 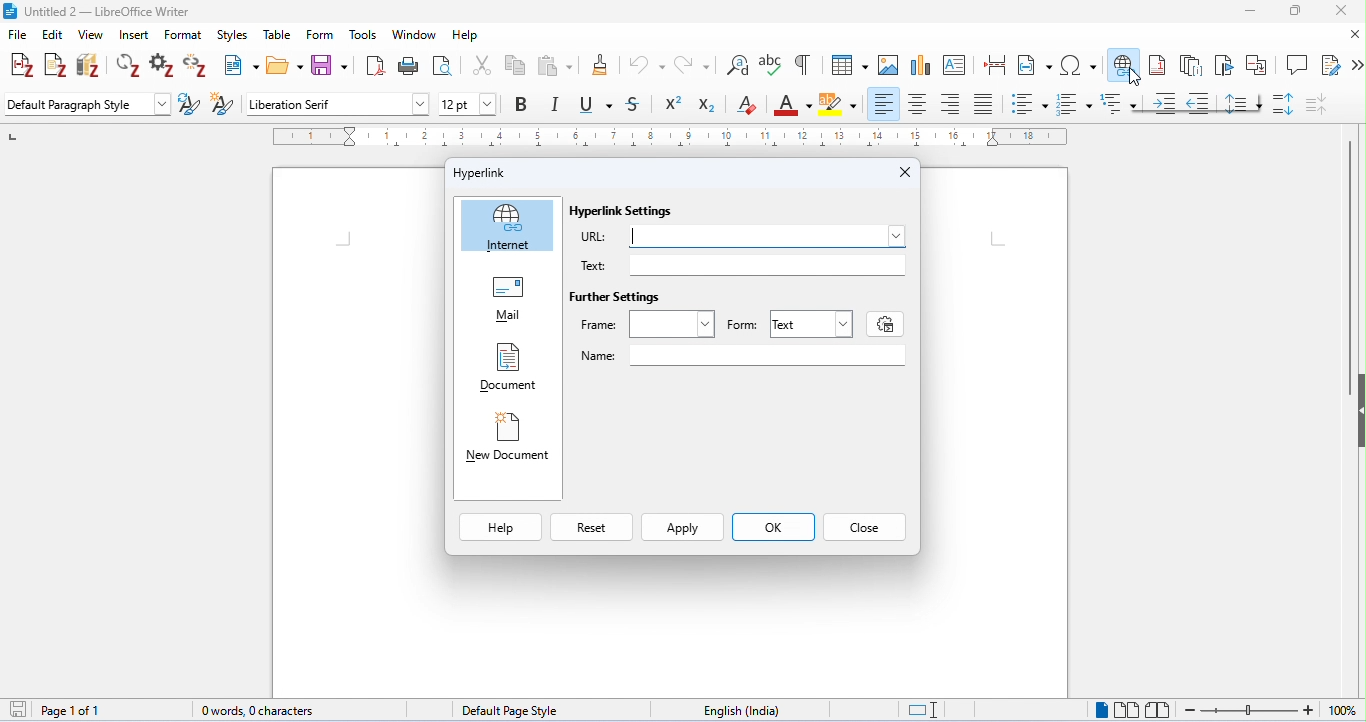 What do you see at coordinates (12, 135) in the screenshot?
I see `left numbering in ruler` at bounding box center [12, 135].